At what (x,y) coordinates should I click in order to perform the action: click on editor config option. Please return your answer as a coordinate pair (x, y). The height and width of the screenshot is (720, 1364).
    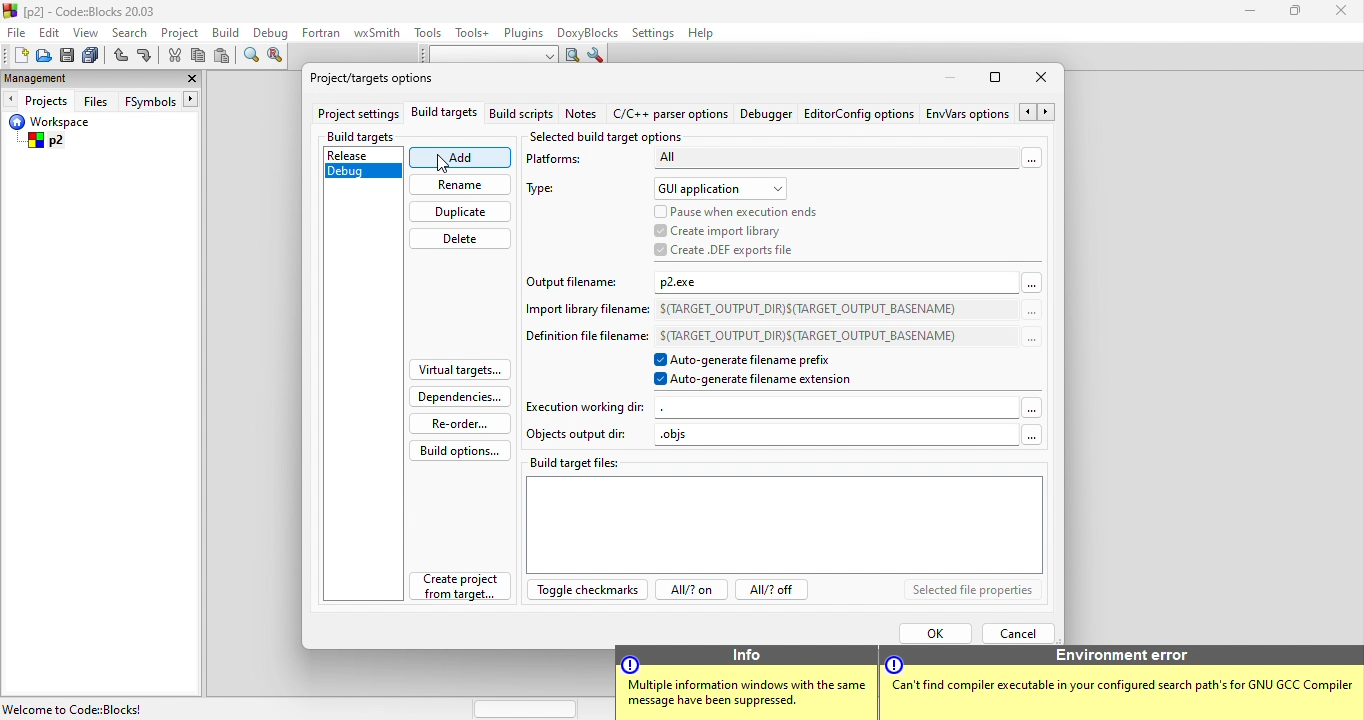
    Looking at the image, I should click on (862, 112).